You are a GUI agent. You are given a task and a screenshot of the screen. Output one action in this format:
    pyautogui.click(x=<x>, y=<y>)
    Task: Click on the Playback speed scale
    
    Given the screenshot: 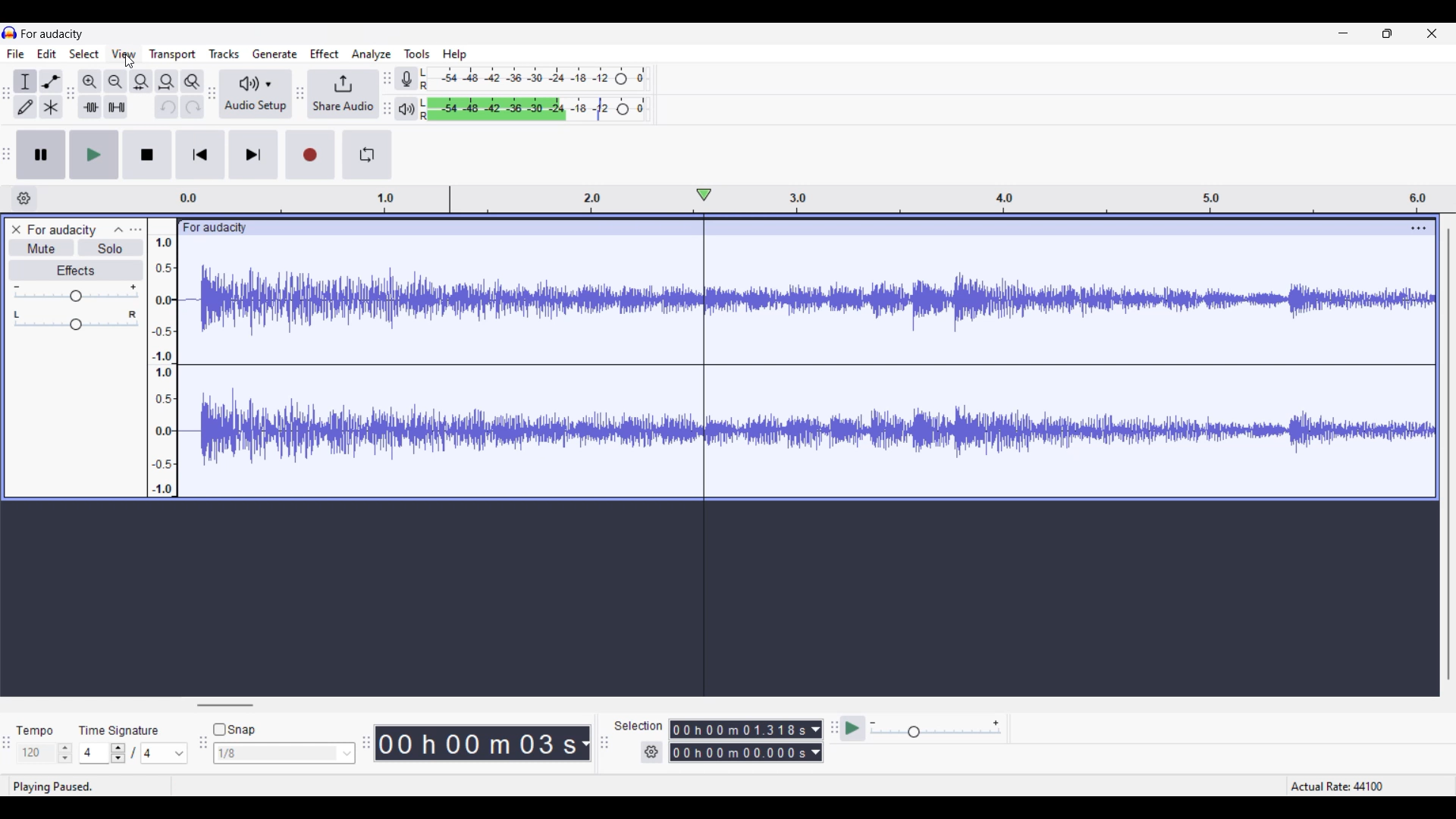 What is the action you would take?
    pyautogui.click(x=936, y=730)
    